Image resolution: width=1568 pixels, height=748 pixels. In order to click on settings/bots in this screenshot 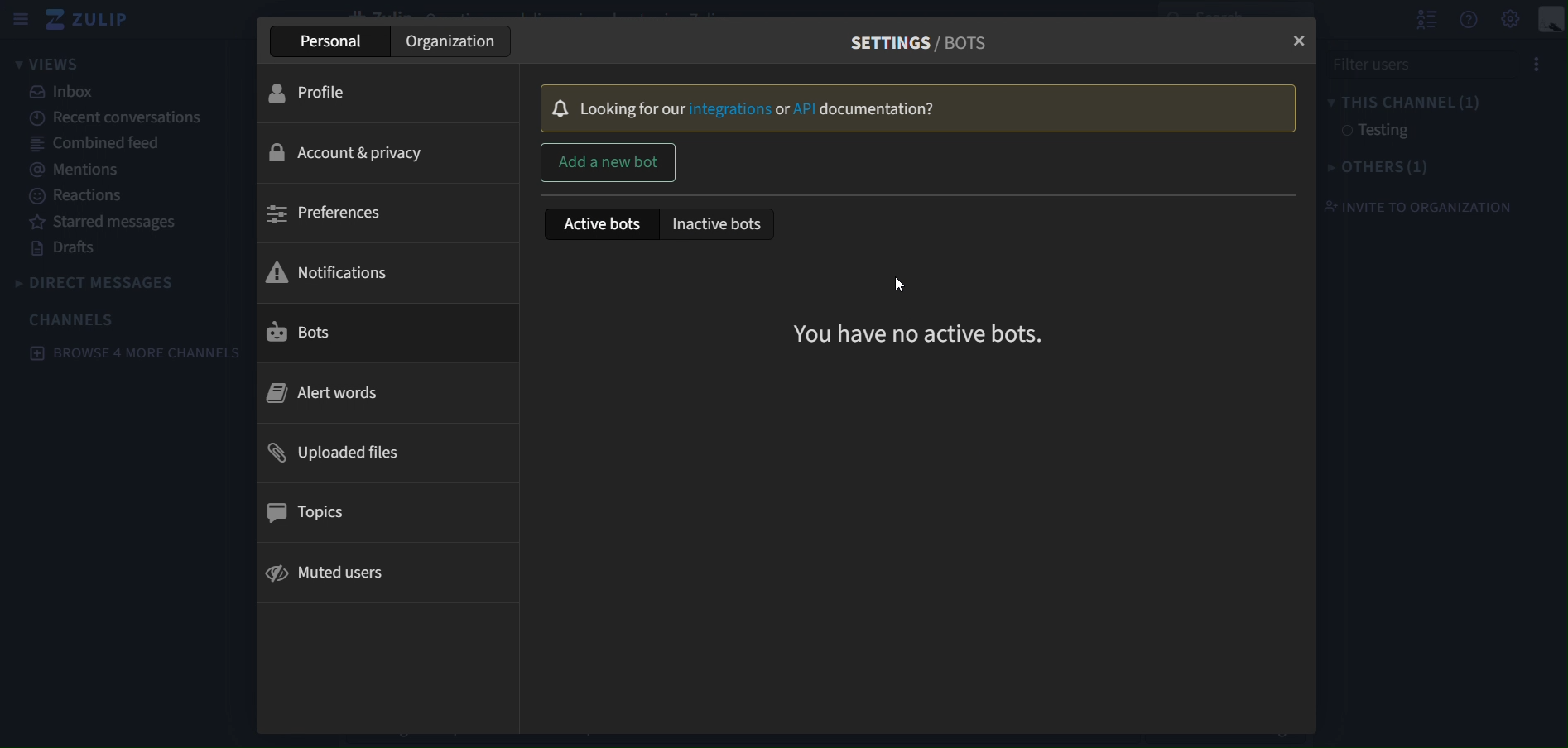, I will do `click(921, 40)`.